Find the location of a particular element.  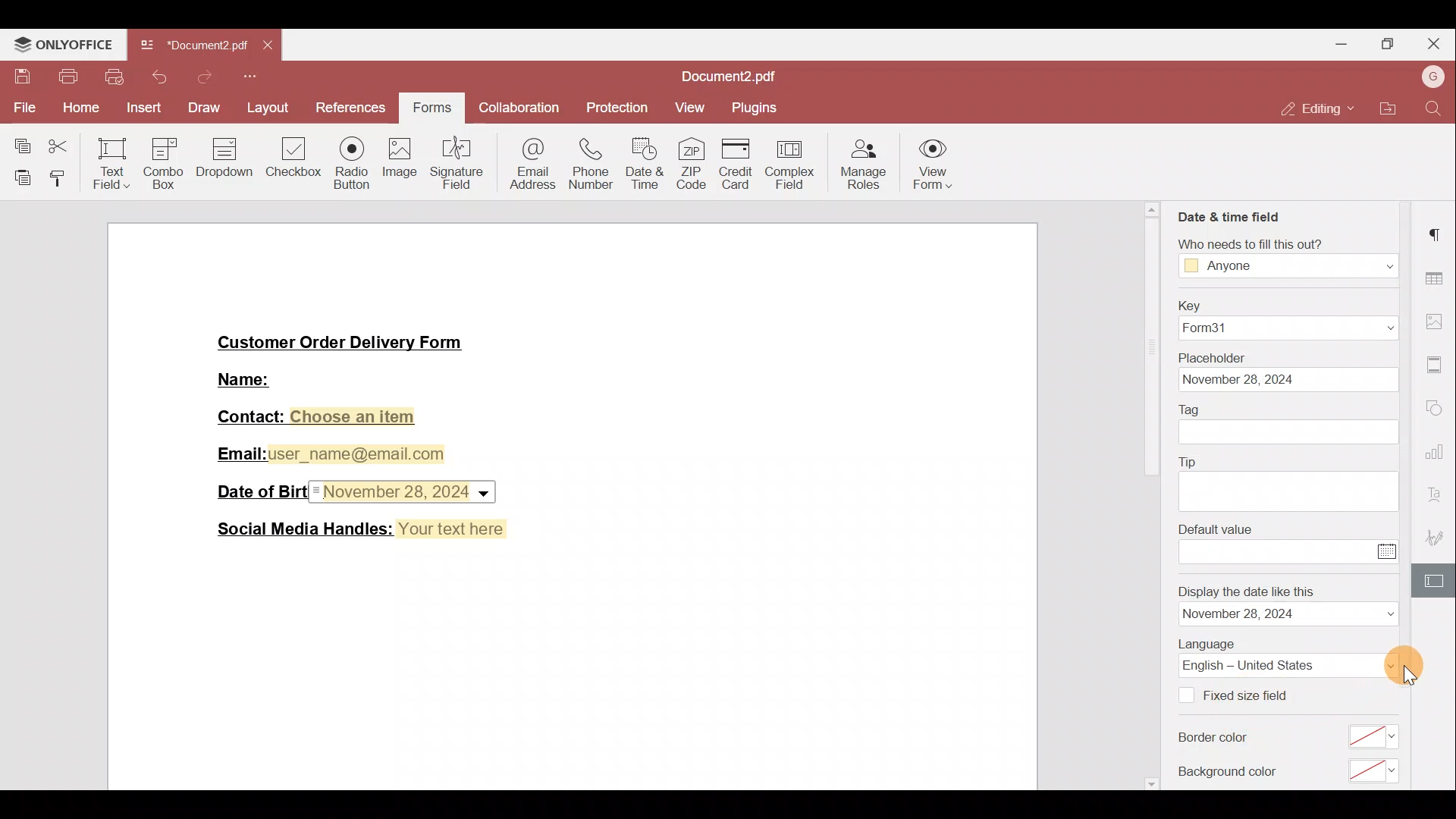

Chart settings is located at coordinates (1438, 457).